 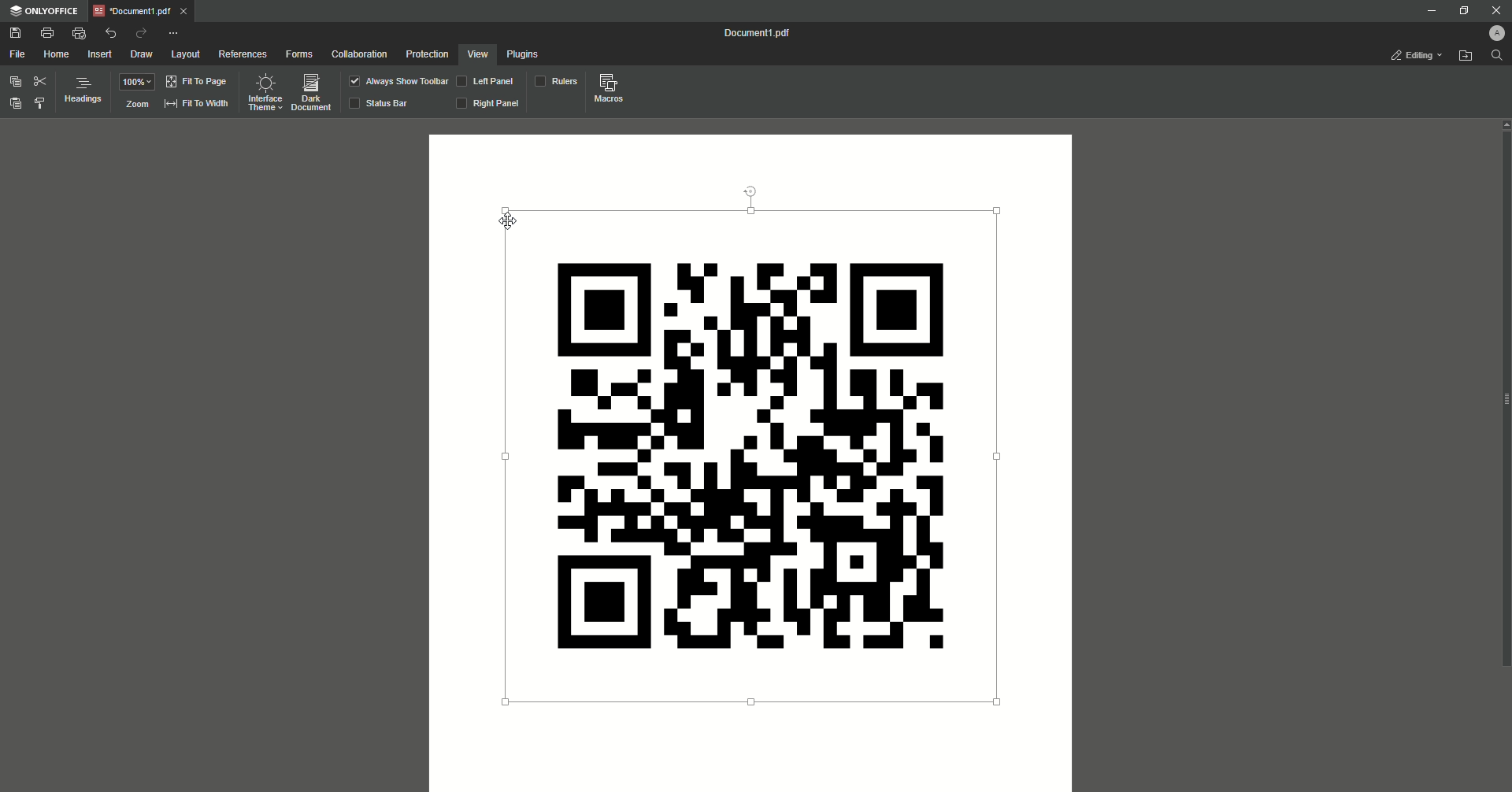 What do you see at coordinates (428, 55) in the screenshot?
I see `Protection` at bounding box center [428, 55].